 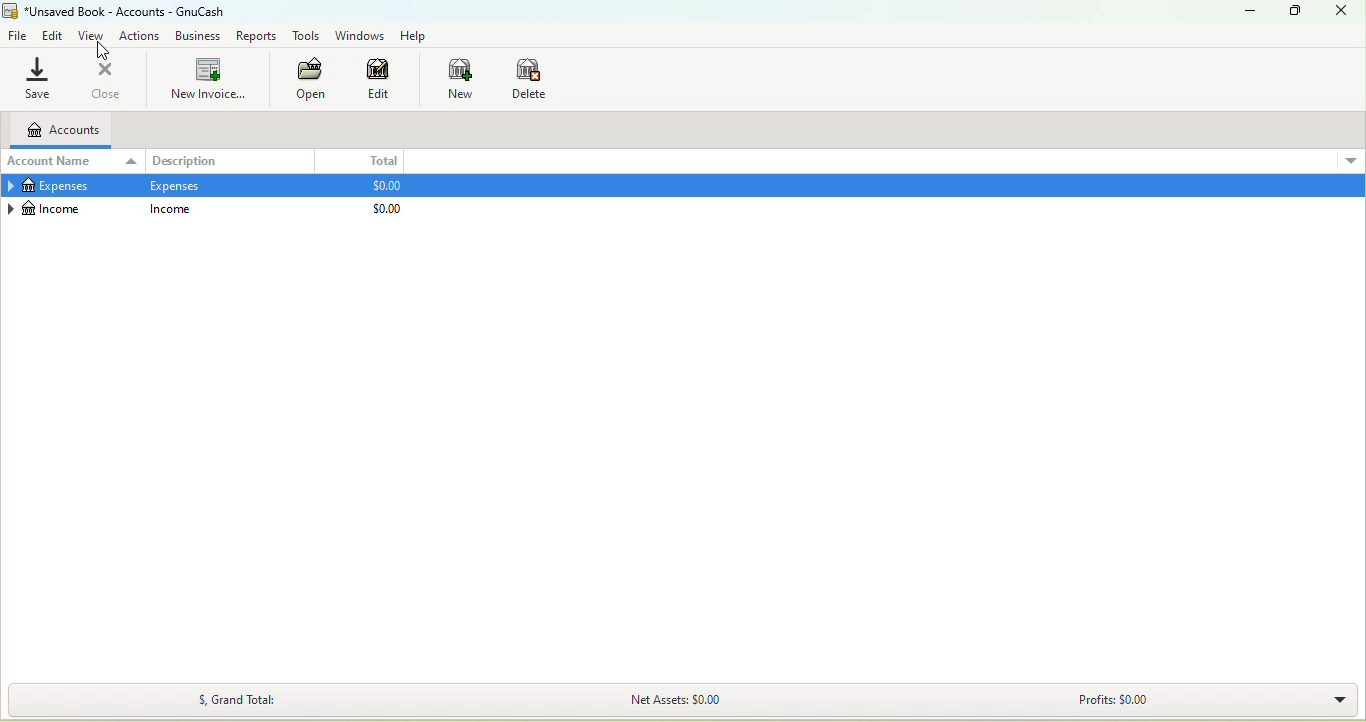 I want to click on Actions, so click(x=141, y=37).